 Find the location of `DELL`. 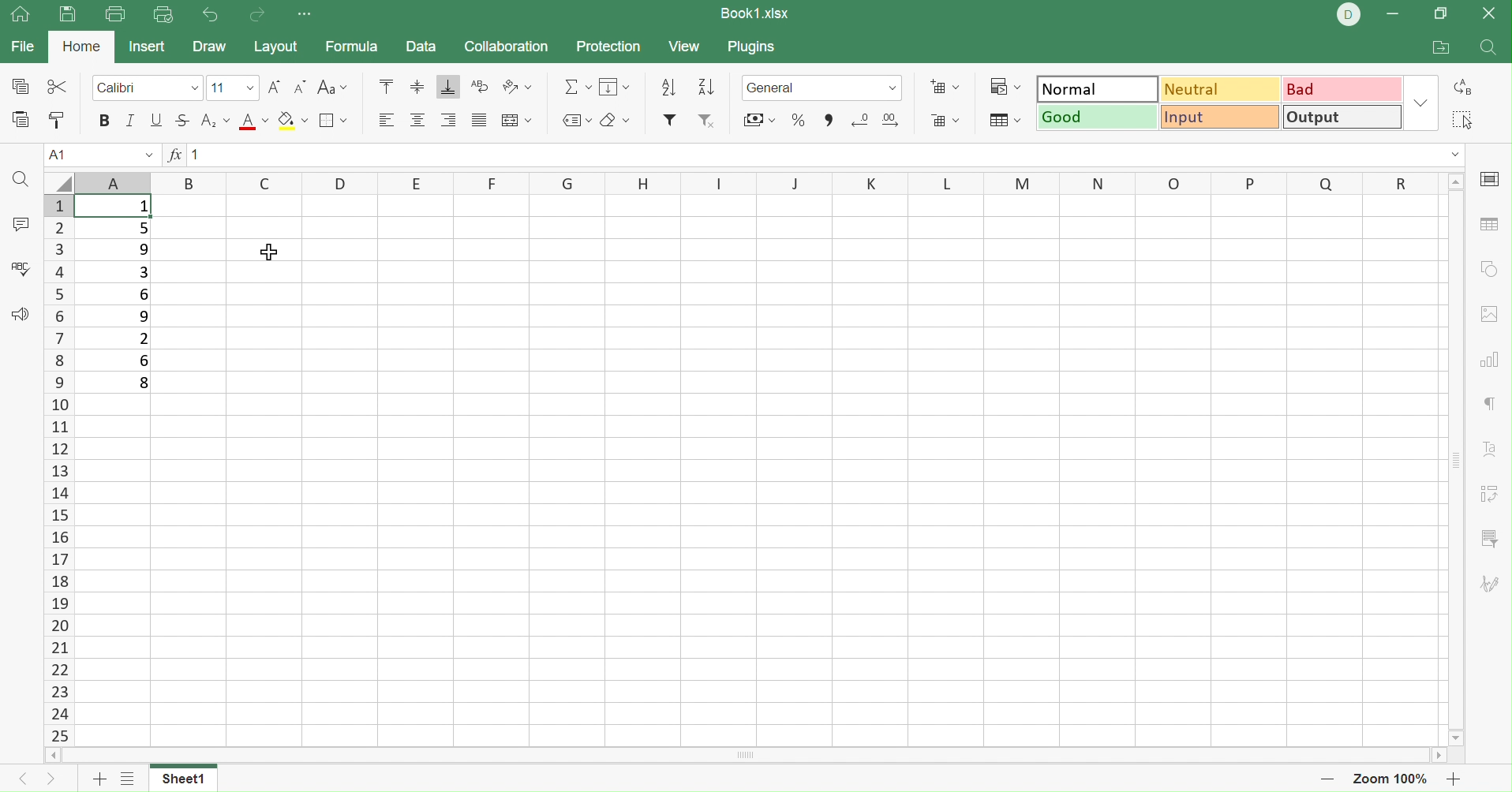

DELL is located at coordinates (1349, 14).